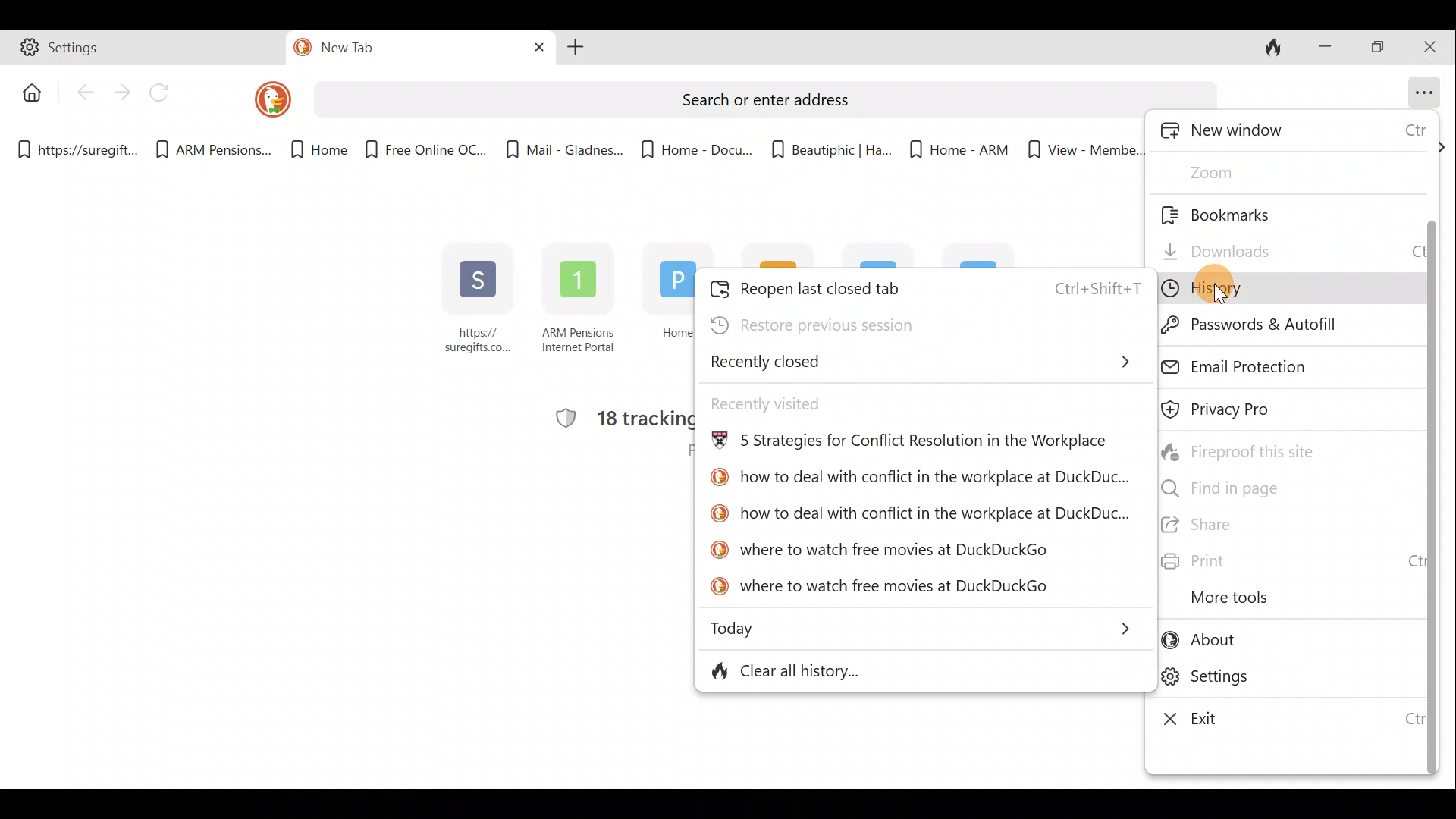 Image resolution: width=1456 pixels, height=819 pixels. Describe the element at coordinates (1269, 487) in the screenshot. I see `Find in page` at that location.